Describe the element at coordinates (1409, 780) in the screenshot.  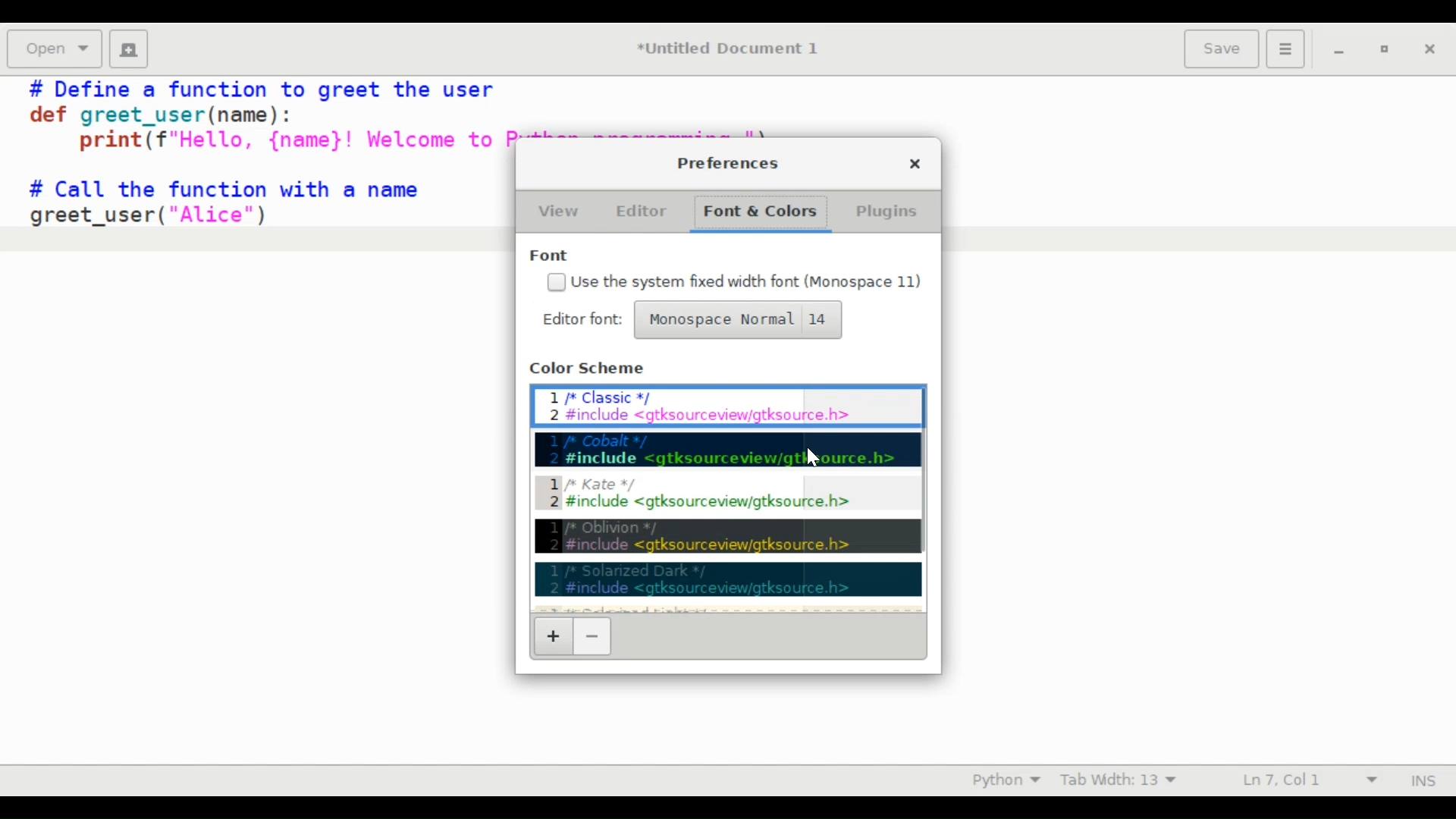
I see `Toggle insert and overwrite` at that location.